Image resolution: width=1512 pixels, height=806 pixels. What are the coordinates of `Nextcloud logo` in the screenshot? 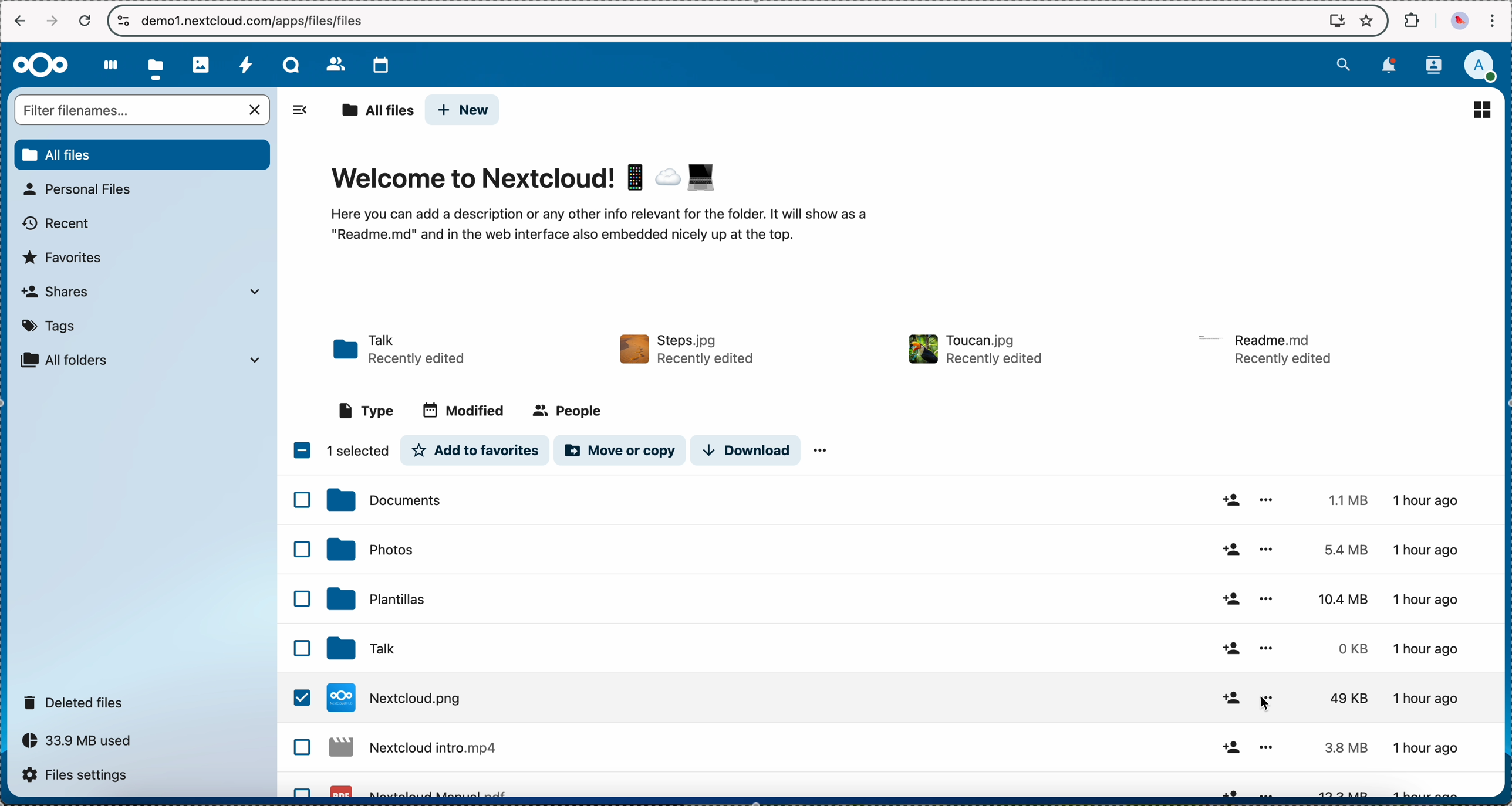 It's located at (39, 65).